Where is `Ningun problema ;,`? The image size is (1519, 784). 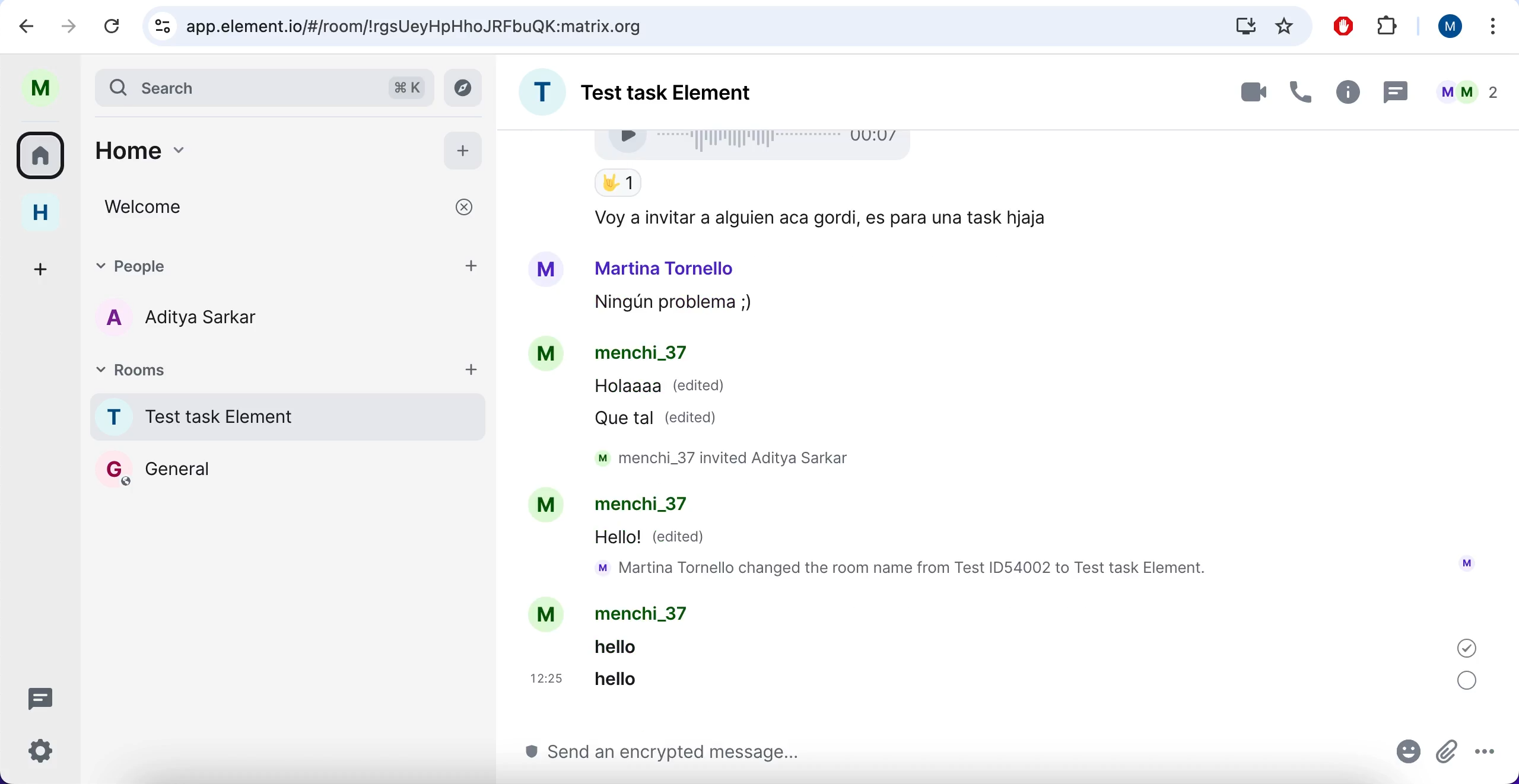 Ningun problema ;, is located at coordinates (669, 302).